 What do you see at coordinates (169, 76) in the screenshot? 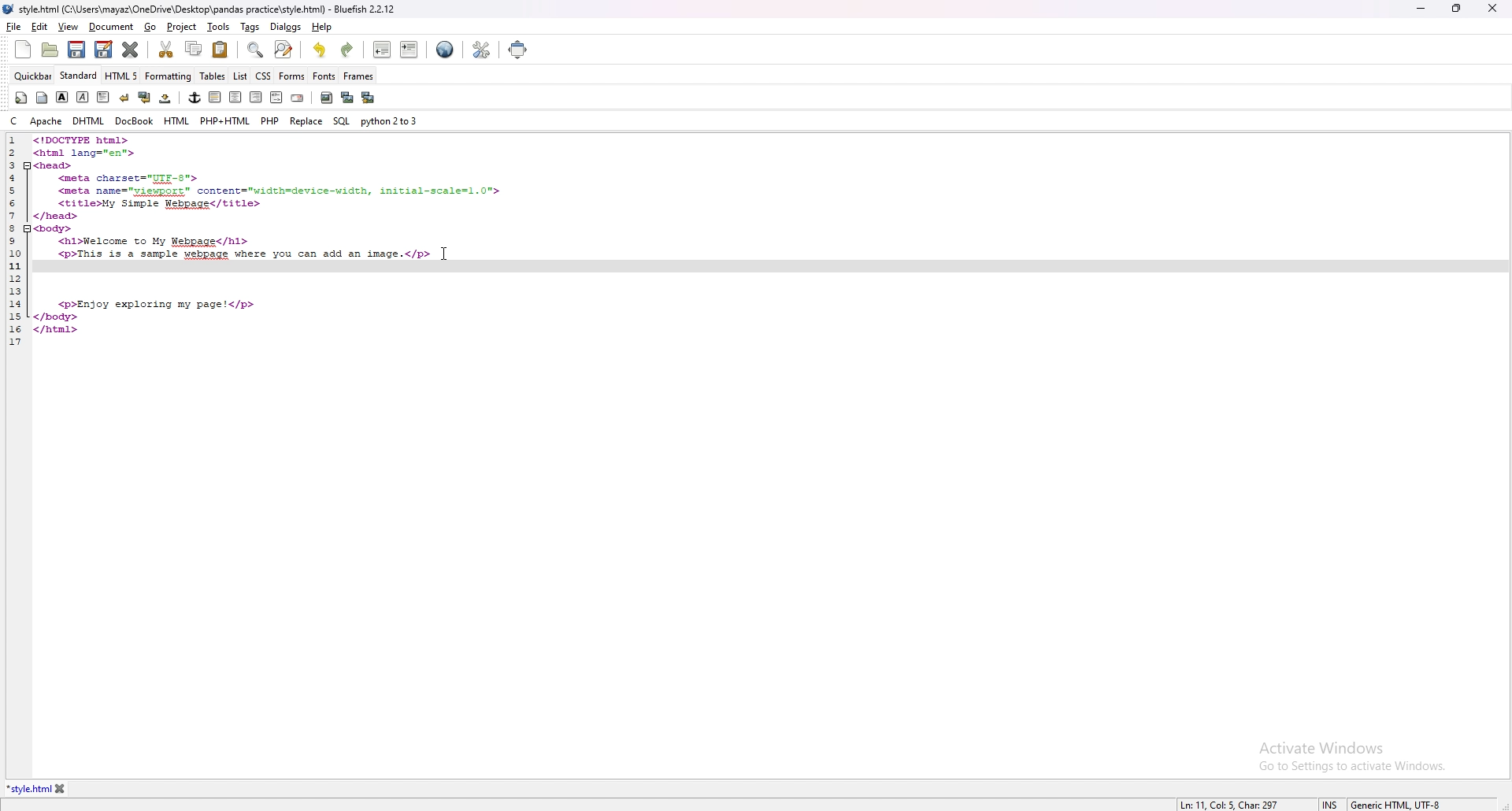
I see `formatting` at bounding box center [169, 76].